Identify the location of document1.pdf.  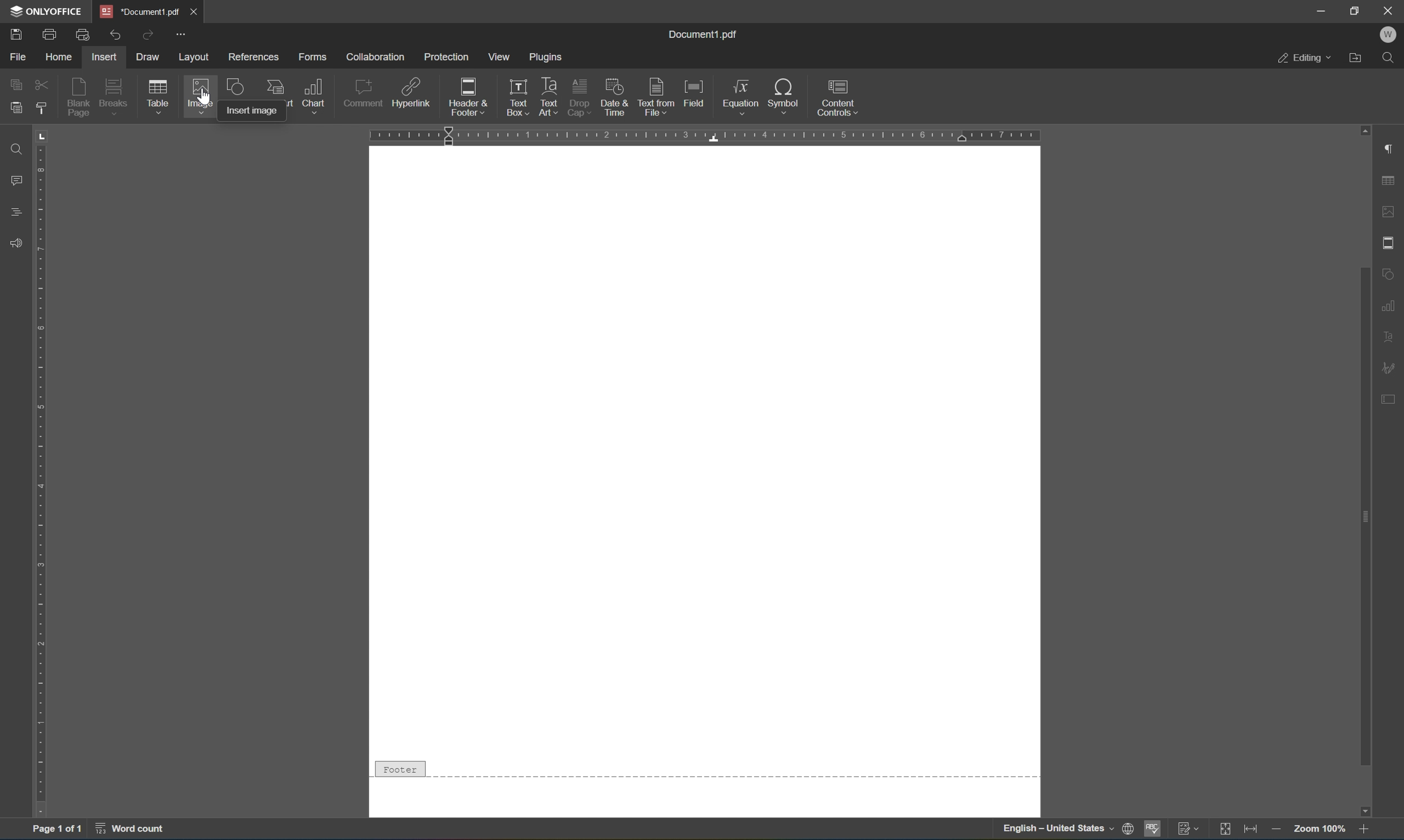
(705, 34).